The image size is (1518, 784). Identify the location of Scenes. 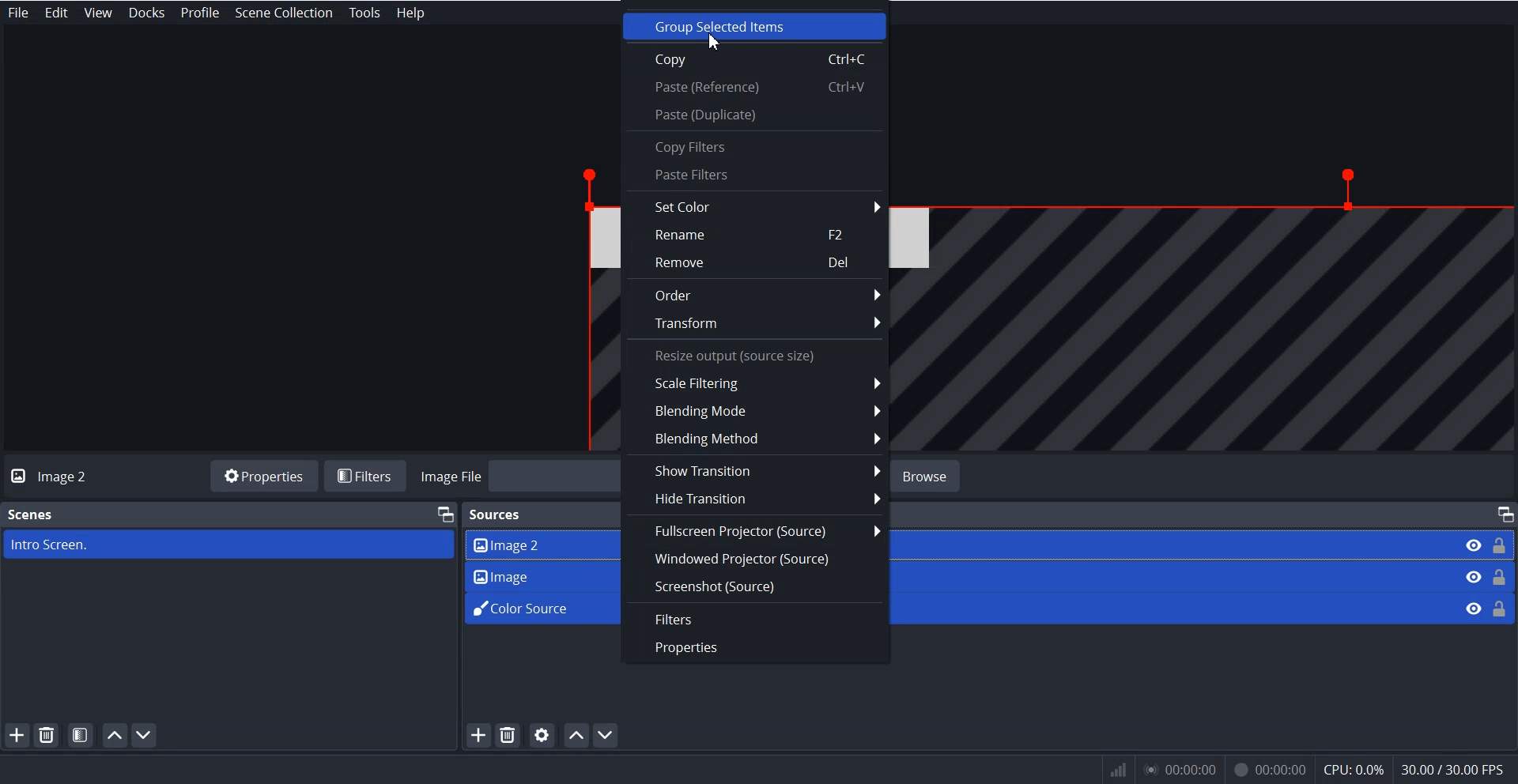
(30, 514).